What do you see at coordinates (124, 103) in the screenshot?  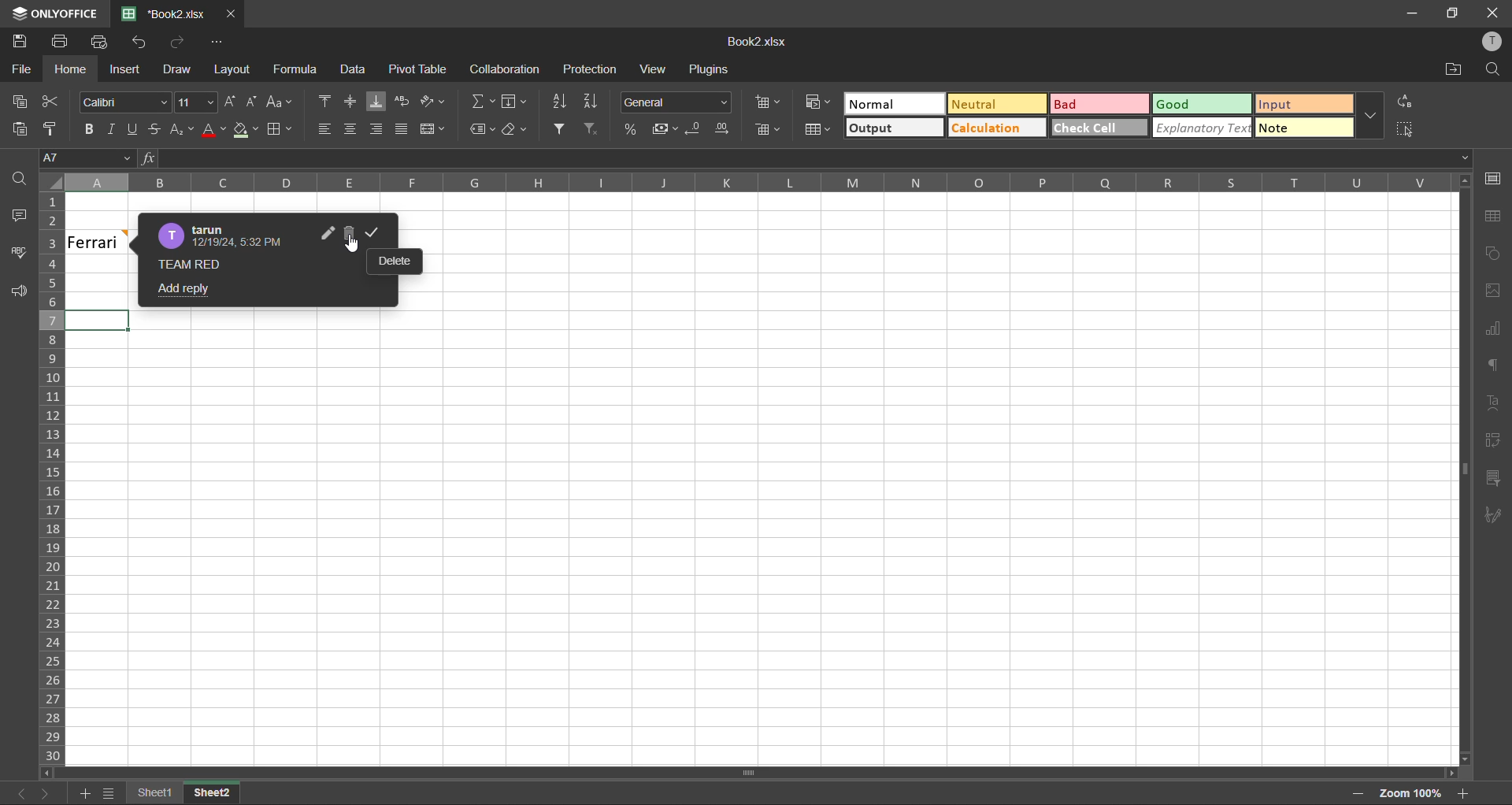 I see `font style` at bounding box center [124, 103].